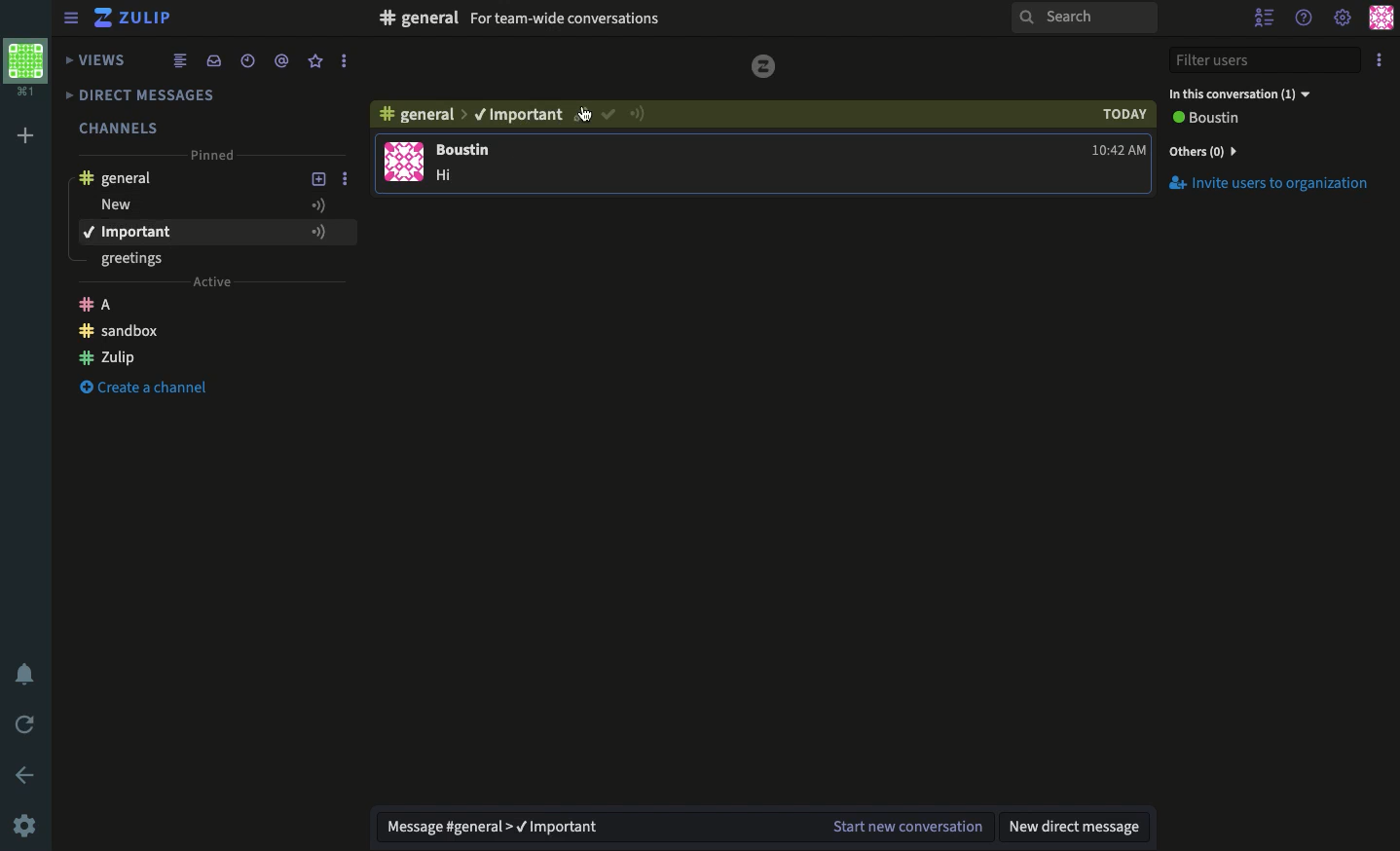 Image resolution: width=1400 pixels, height=851 pixels. I want to click on More Options, so click(348, 63).